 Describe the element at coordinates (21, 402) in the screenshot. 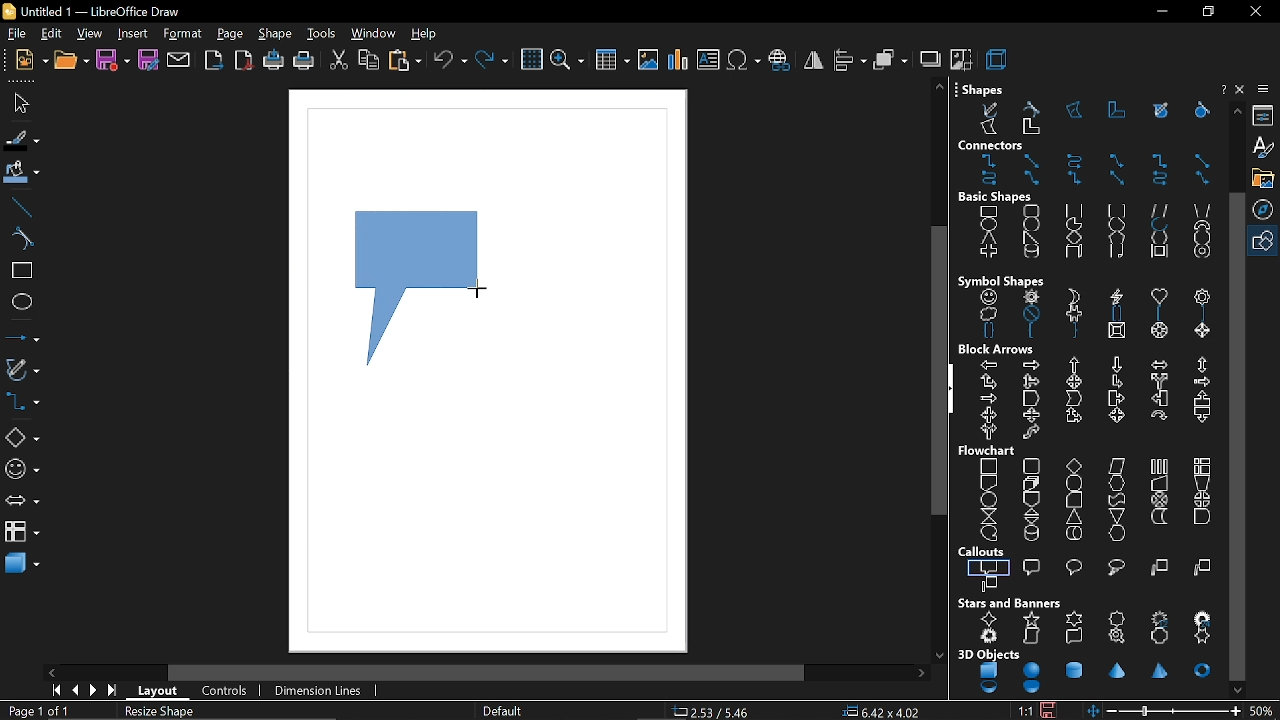

I see `connectors` at that location.